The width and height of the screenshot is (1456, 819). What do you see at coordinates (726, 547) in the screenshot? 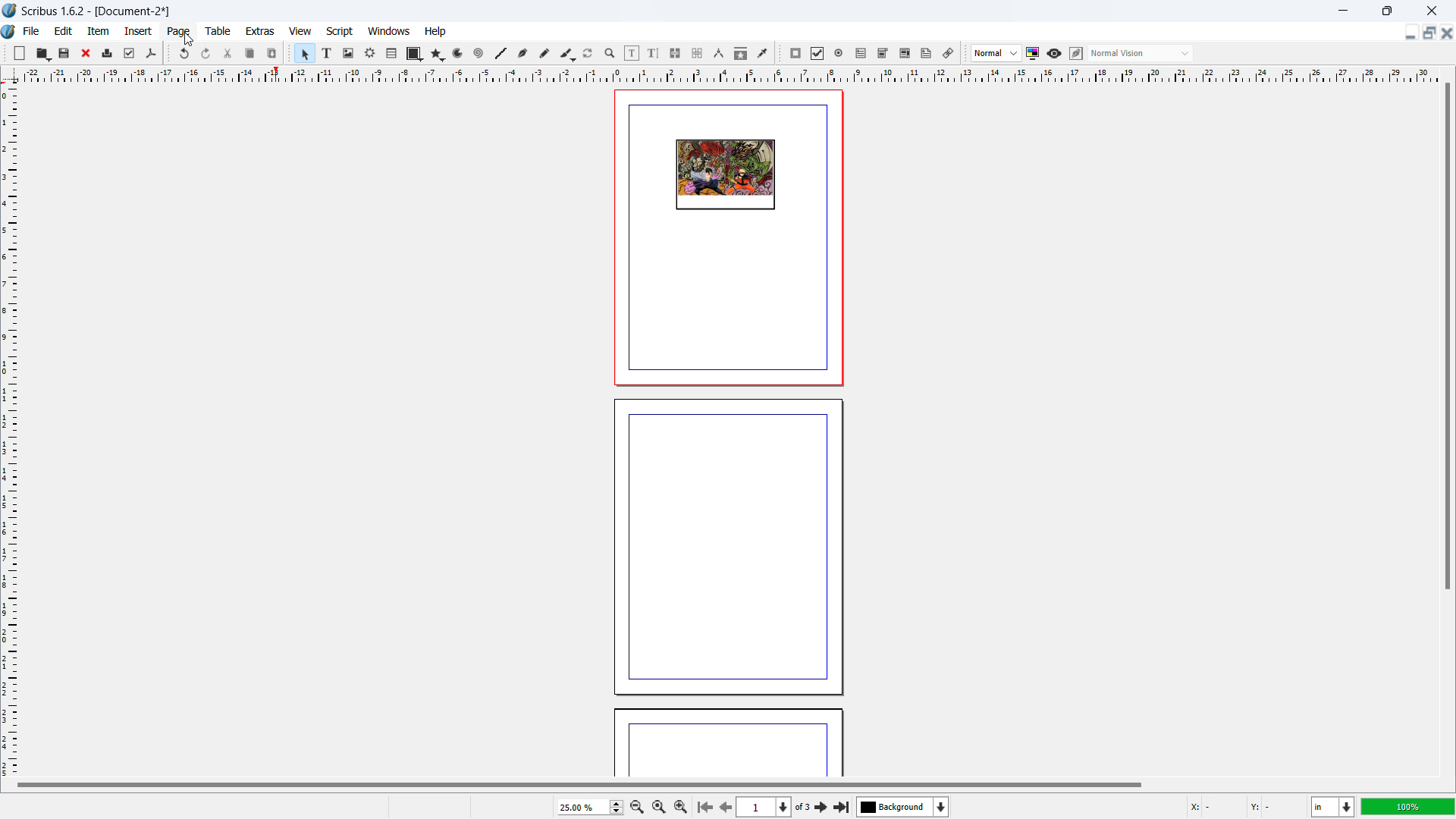
I see `page` at bounding box center [726, 547].